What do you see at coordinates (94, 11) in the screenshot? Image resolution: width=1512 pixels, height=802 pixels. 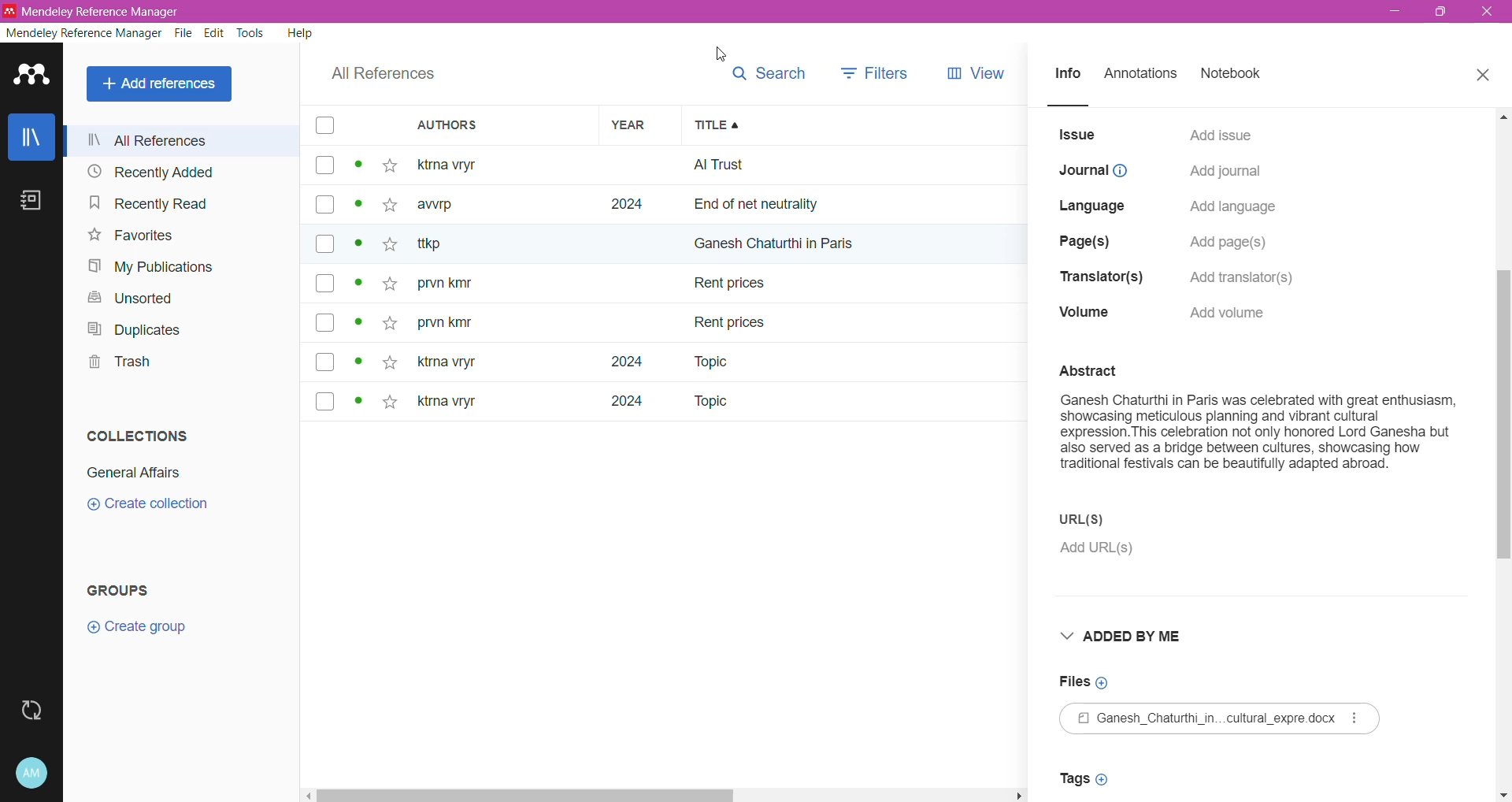 I see `Application Name` at bounding box center [94, 11].